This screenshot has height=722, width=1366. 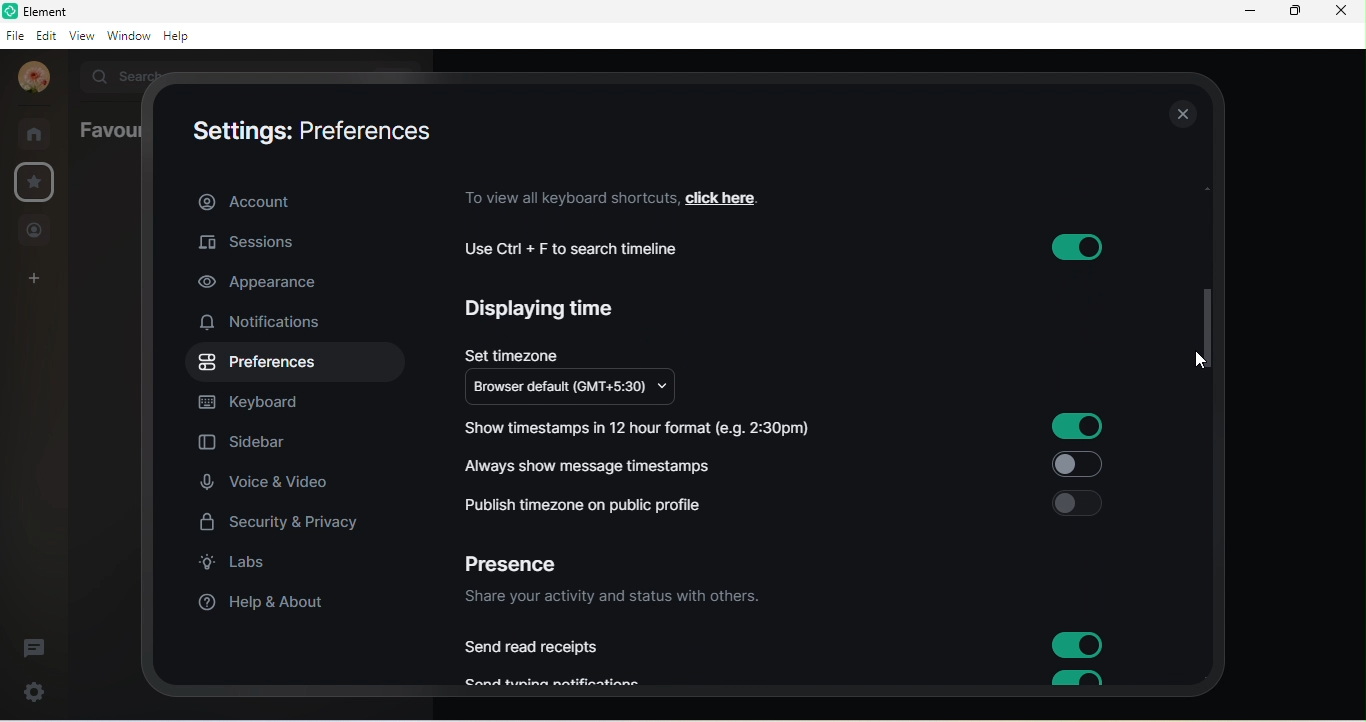 What do you see at coordinates (36, 133) in the screenshot?
I see `home` at bounding box center [36, 133].